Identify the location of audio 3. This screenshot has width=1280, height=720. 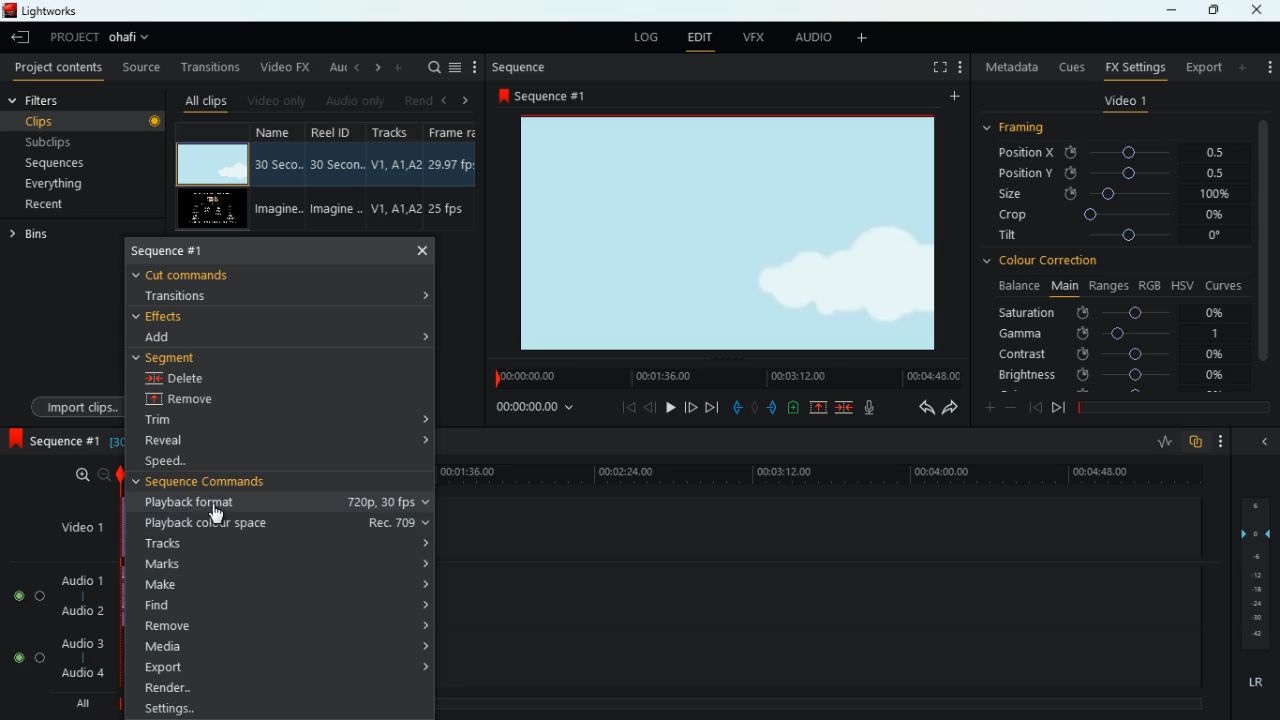
(81, 644).